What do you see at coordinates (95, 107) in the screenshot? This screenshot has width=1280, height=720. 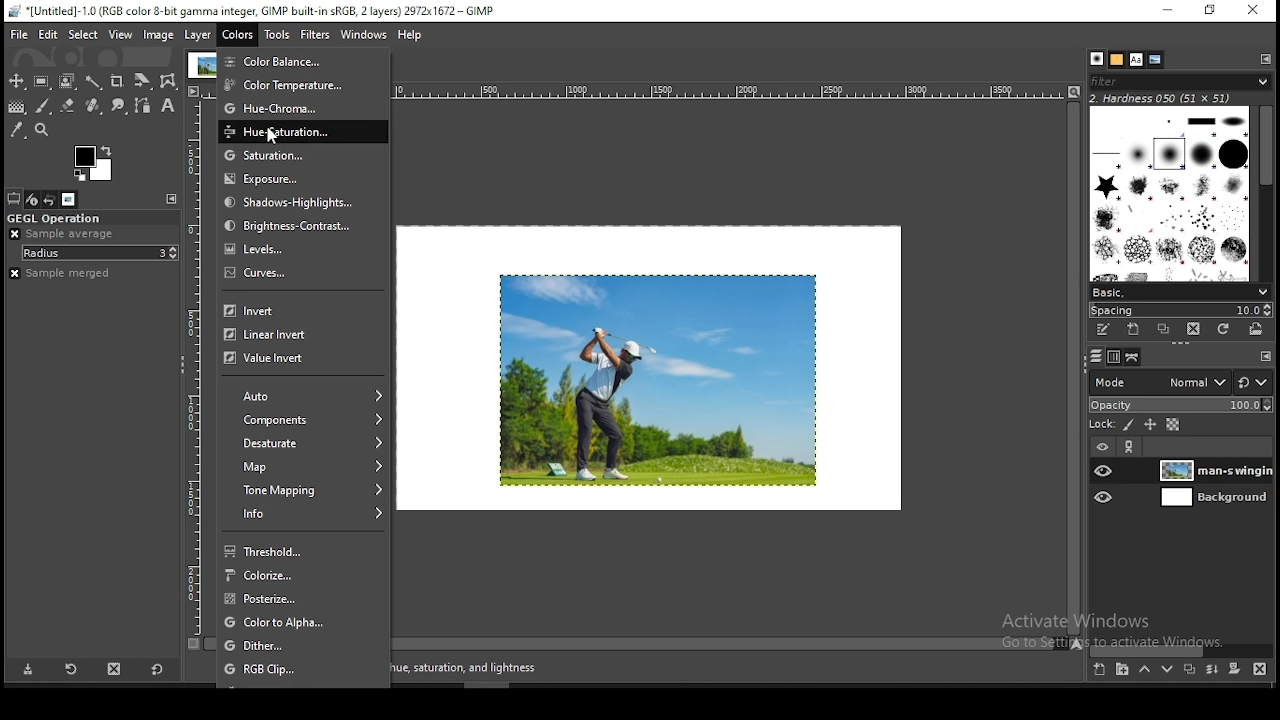 I see `eraser tool` at bounding box center [95, 107].